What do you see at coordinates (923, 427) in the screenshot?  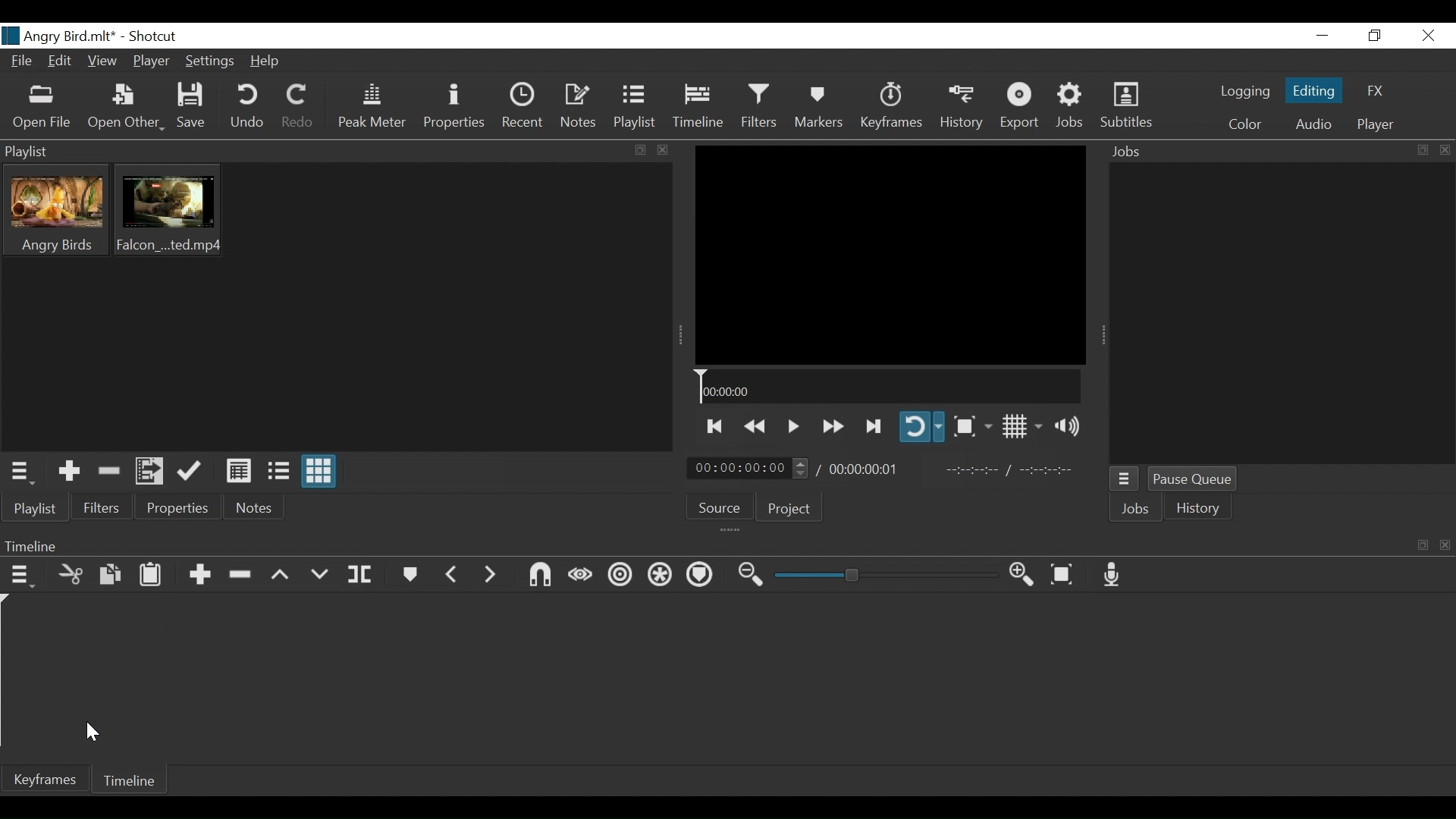 I see `Toggle player looping` at bounding box center [923, 427].